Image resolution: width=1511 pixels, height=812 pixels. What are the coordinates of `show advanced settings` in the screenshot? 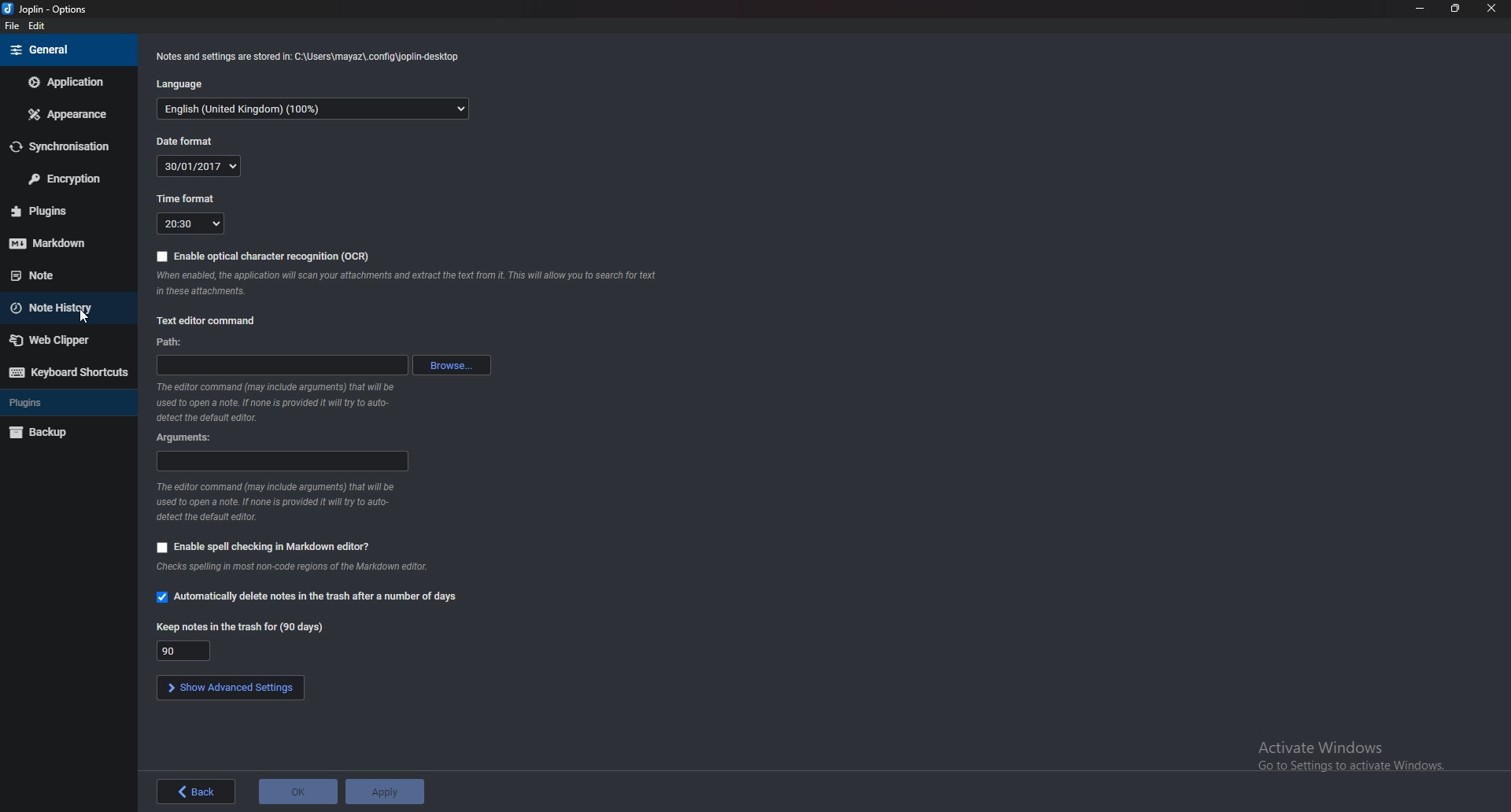 It's located at (229, 687).